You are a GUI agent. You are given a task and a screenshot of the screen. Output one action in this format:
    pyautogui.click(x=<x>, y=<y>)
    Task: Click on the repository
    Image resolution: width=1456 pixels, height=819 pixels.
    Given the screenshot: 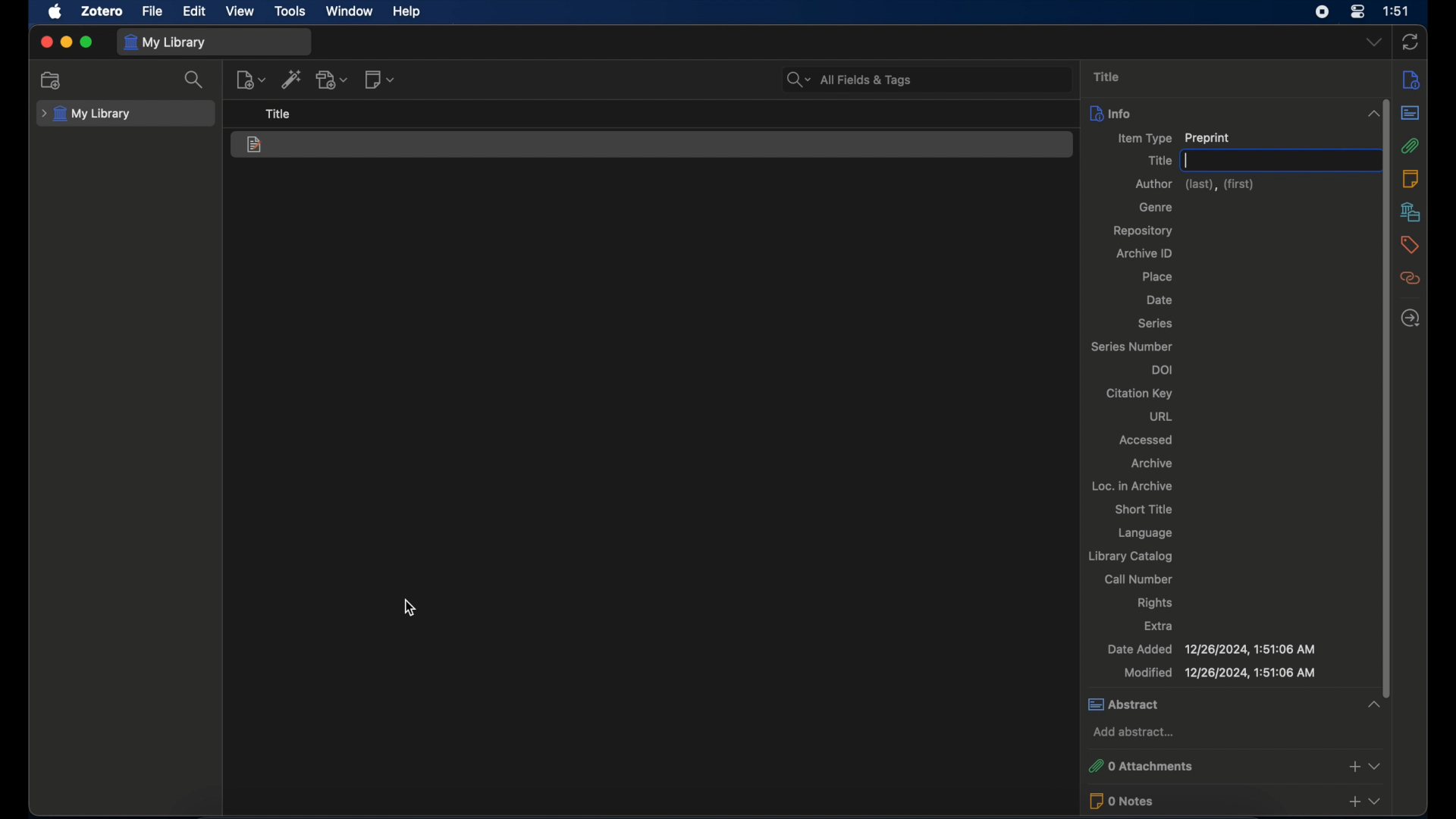 What is the action you would take?
    pyautogui.click(x=1146, y=231)
    